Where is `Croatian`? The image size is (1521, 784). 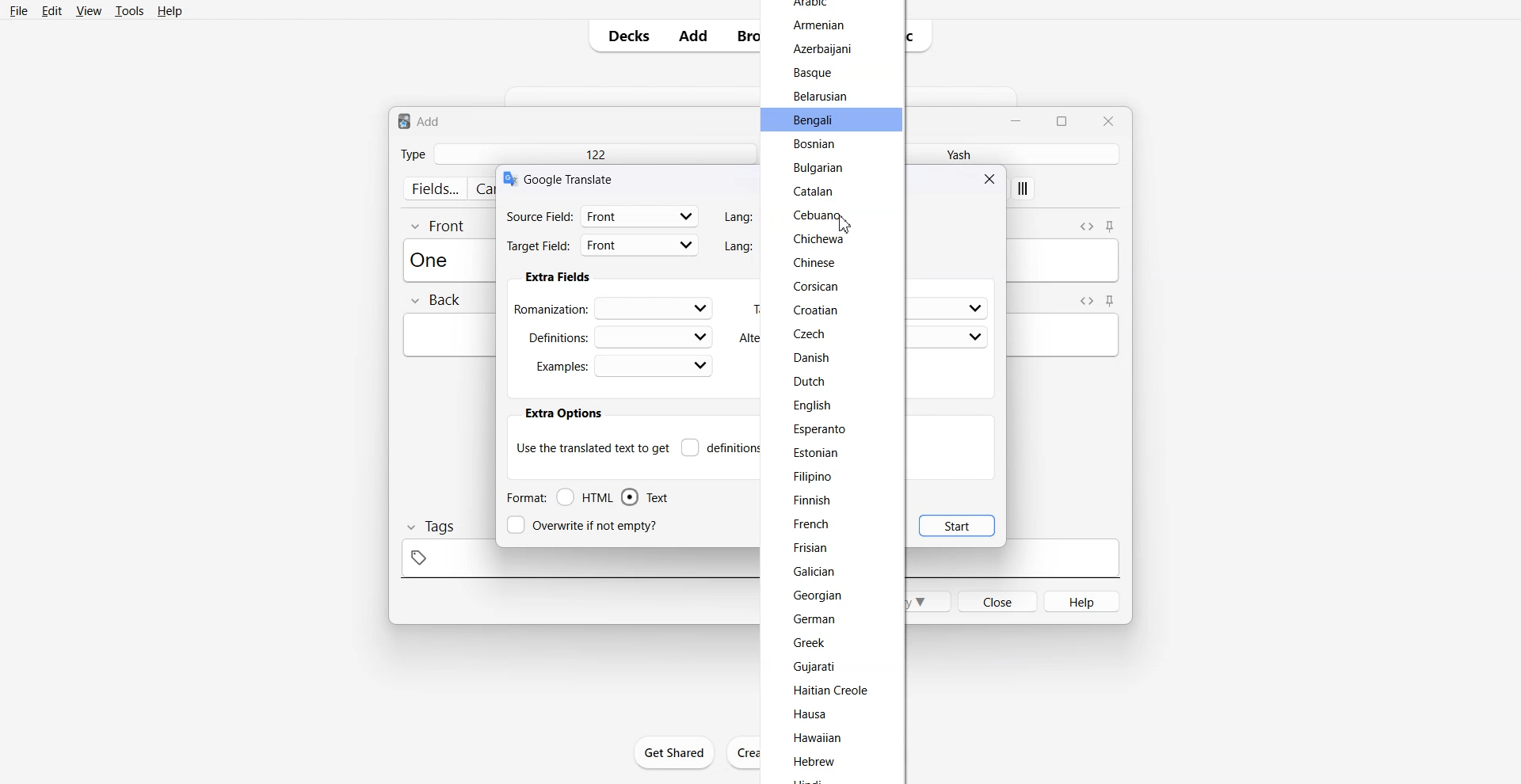
Croatian is located at coordinates (815, 310).